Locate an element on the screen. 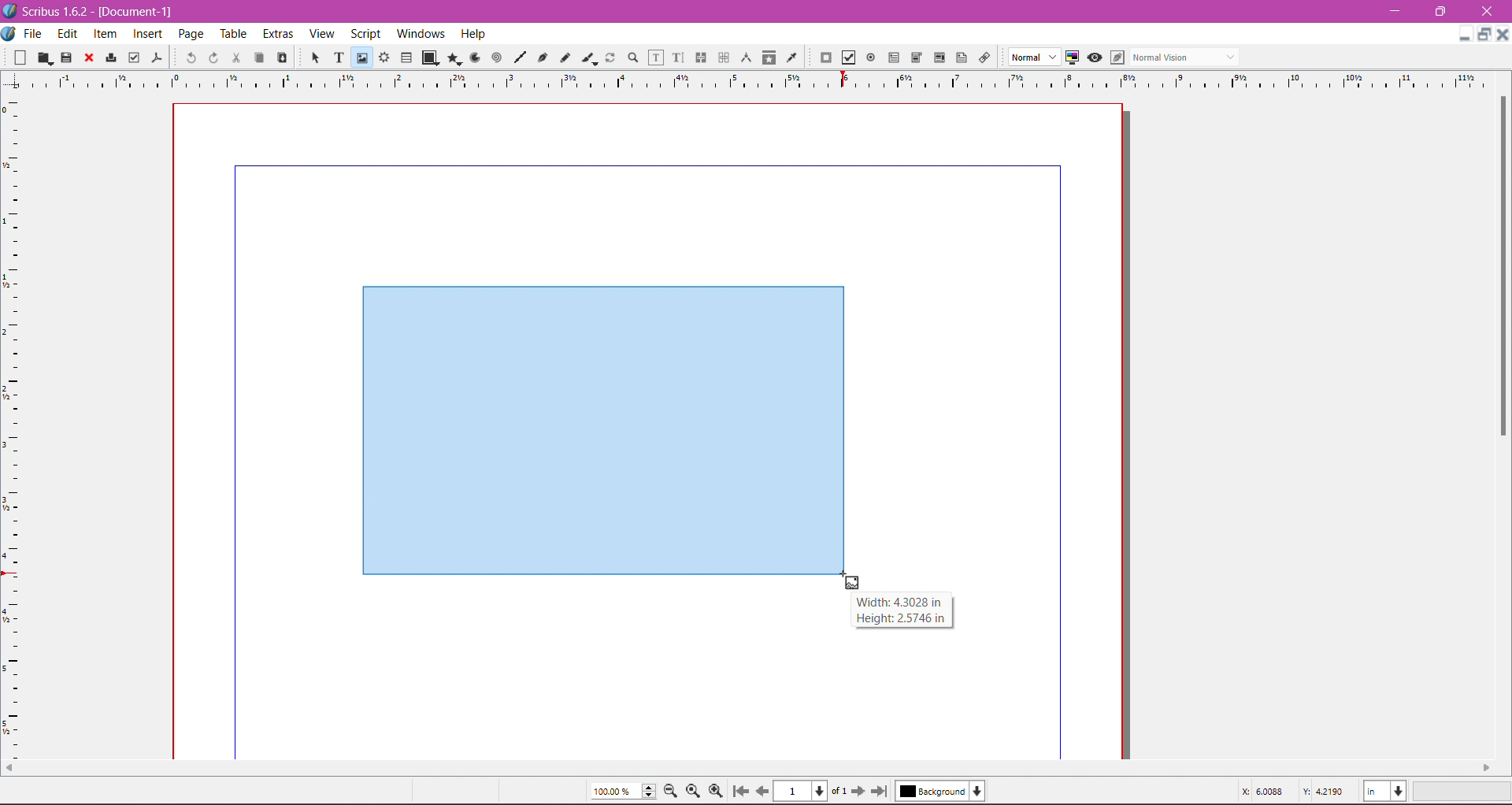 Image resolution: width=1512 pixels, height=805 pixels. Image Frame is located at coordinates (362, 57).